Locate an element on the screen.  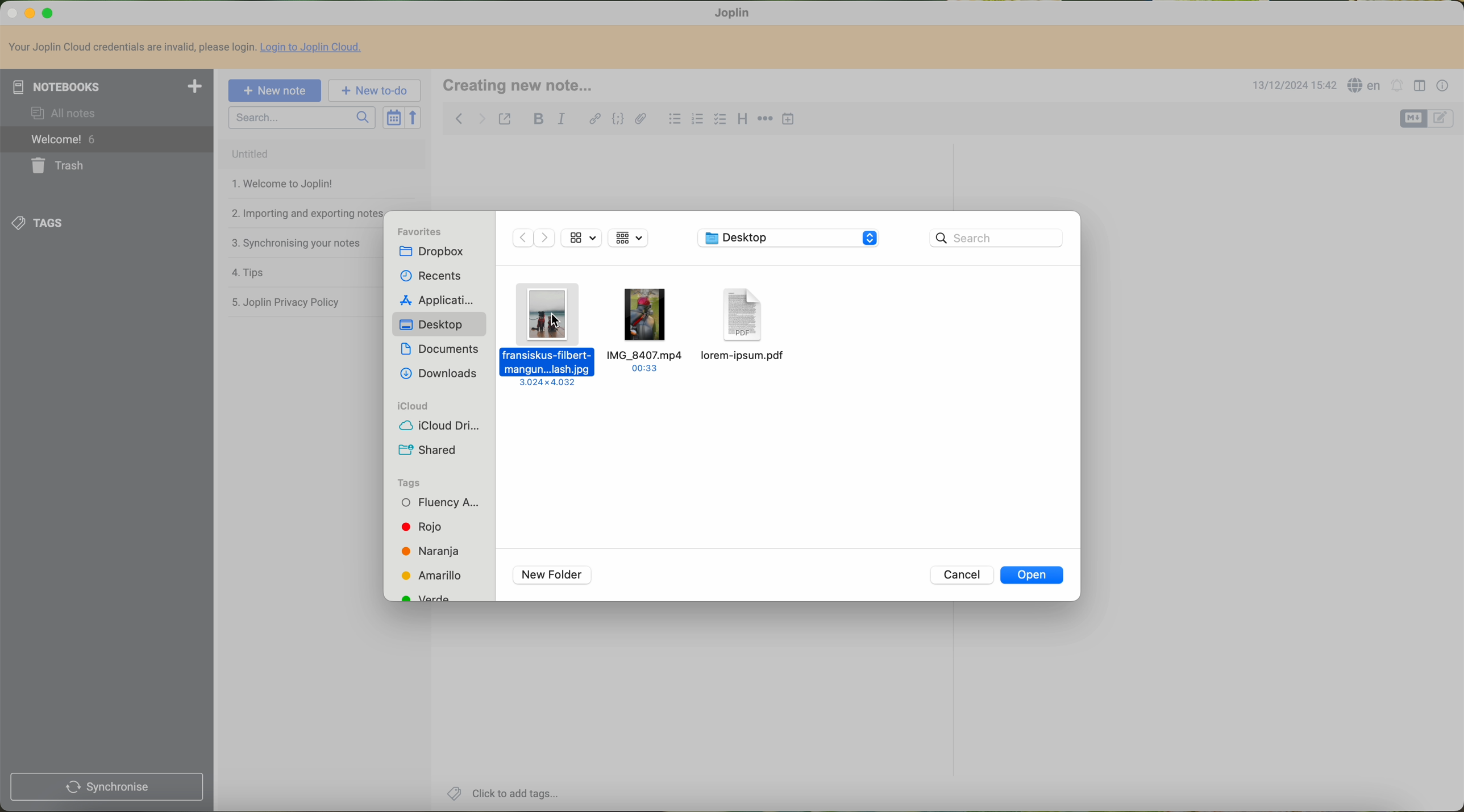
search bar is located at coordinates (997, 238).